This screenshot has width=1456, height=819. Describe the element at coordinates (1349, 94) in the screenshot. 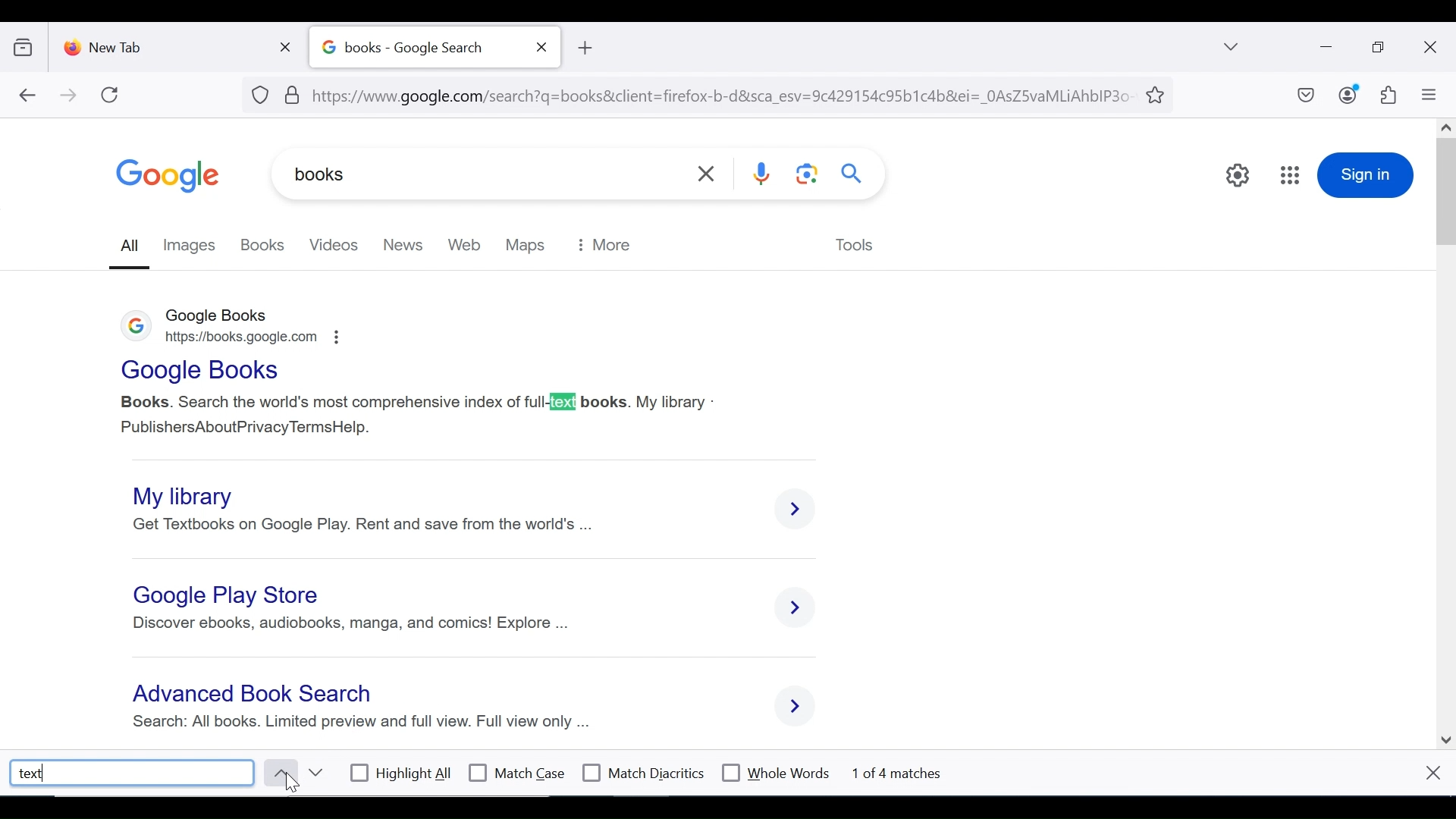

I see `account` at that location.